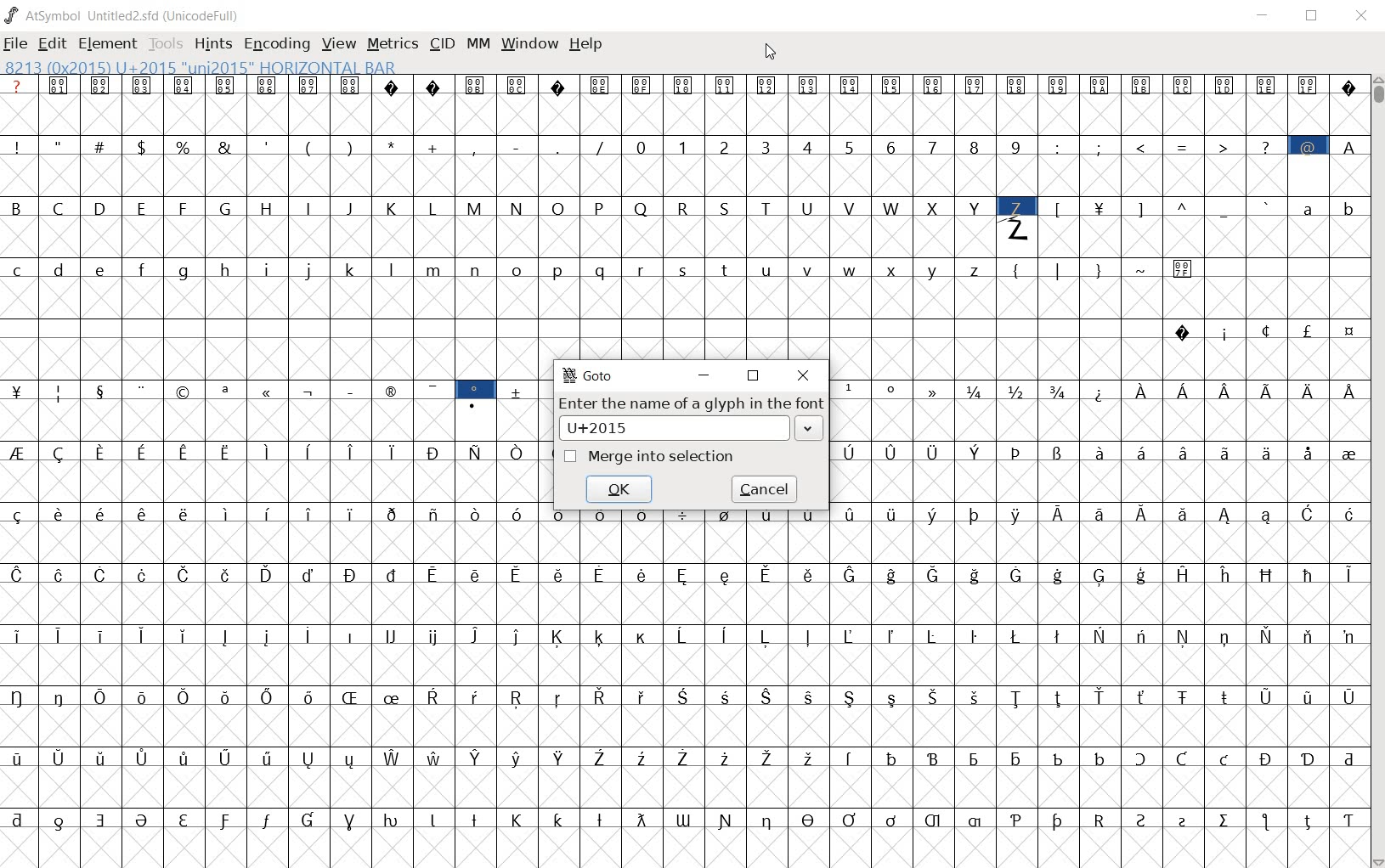 Image resolution: width=1385 pixels, height=868 pixels. I want to click on 8213 (0x2015) U+2015 "uni2015" HORIZONTAL BAR, so click(199, 67).